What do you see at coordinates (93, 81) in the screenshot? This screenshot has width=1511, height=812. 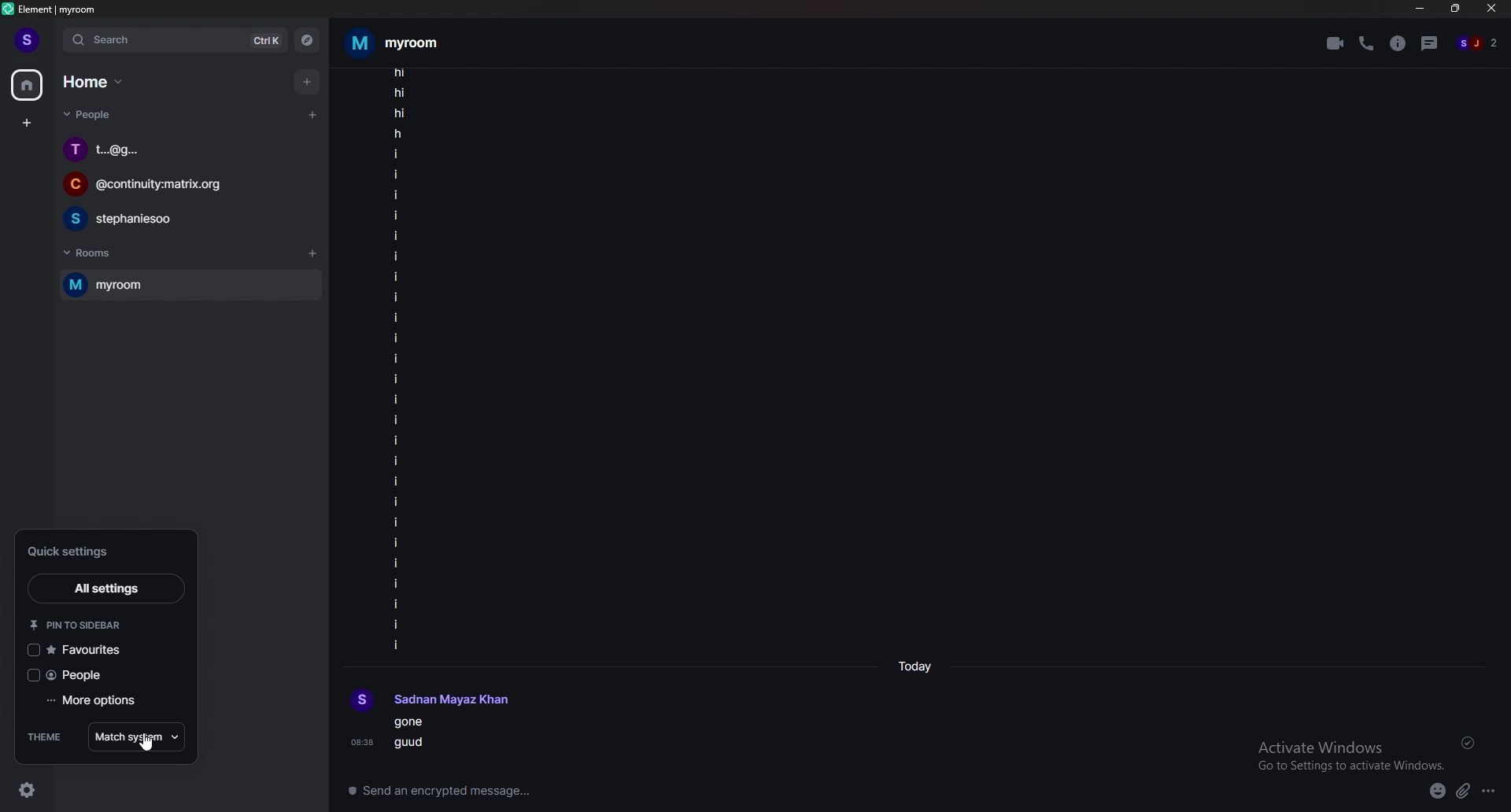 I see `home` at bounding box center [93, 81].